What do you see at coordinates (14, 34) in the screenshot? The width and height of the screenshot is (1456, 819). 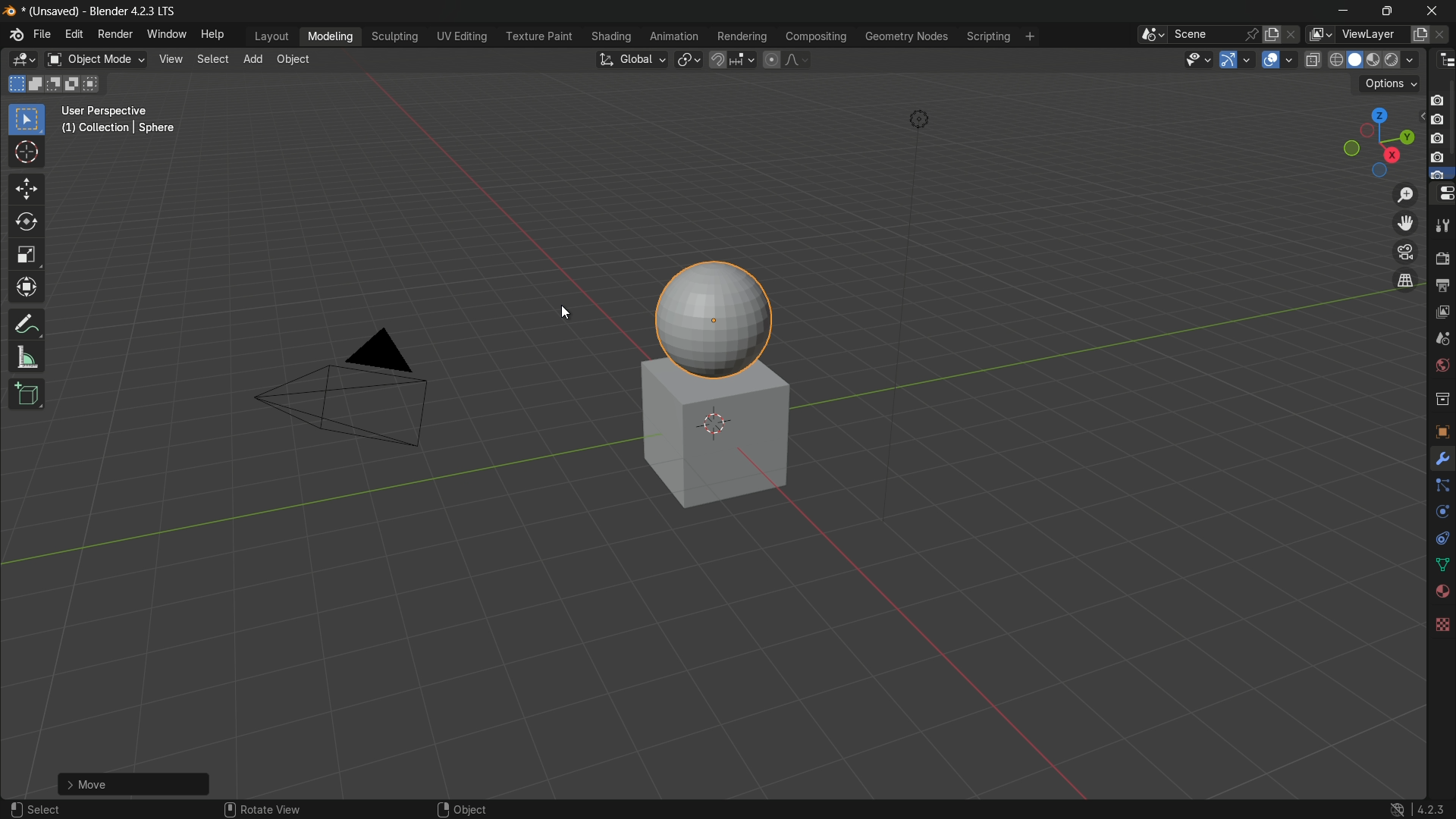 I see `logo` at bounding box center [14, 34].